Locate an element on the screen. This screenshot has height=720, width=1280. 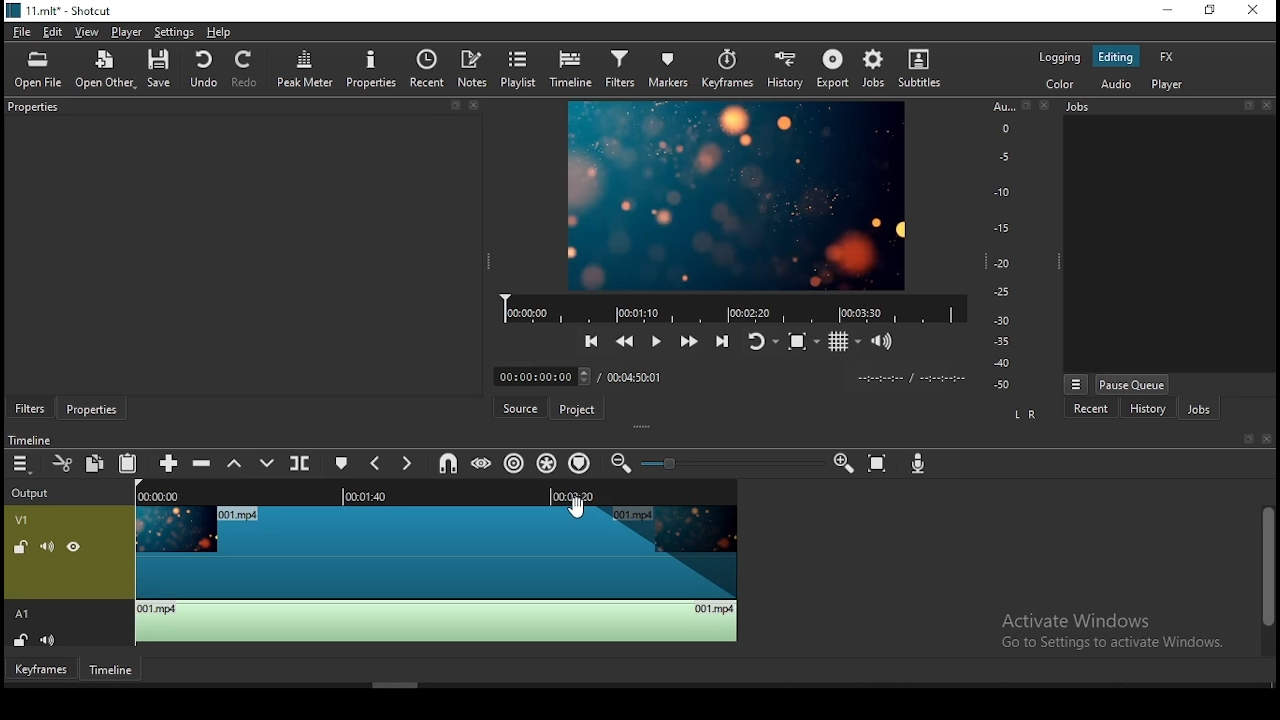
cut is located at coordinates (58, 462).